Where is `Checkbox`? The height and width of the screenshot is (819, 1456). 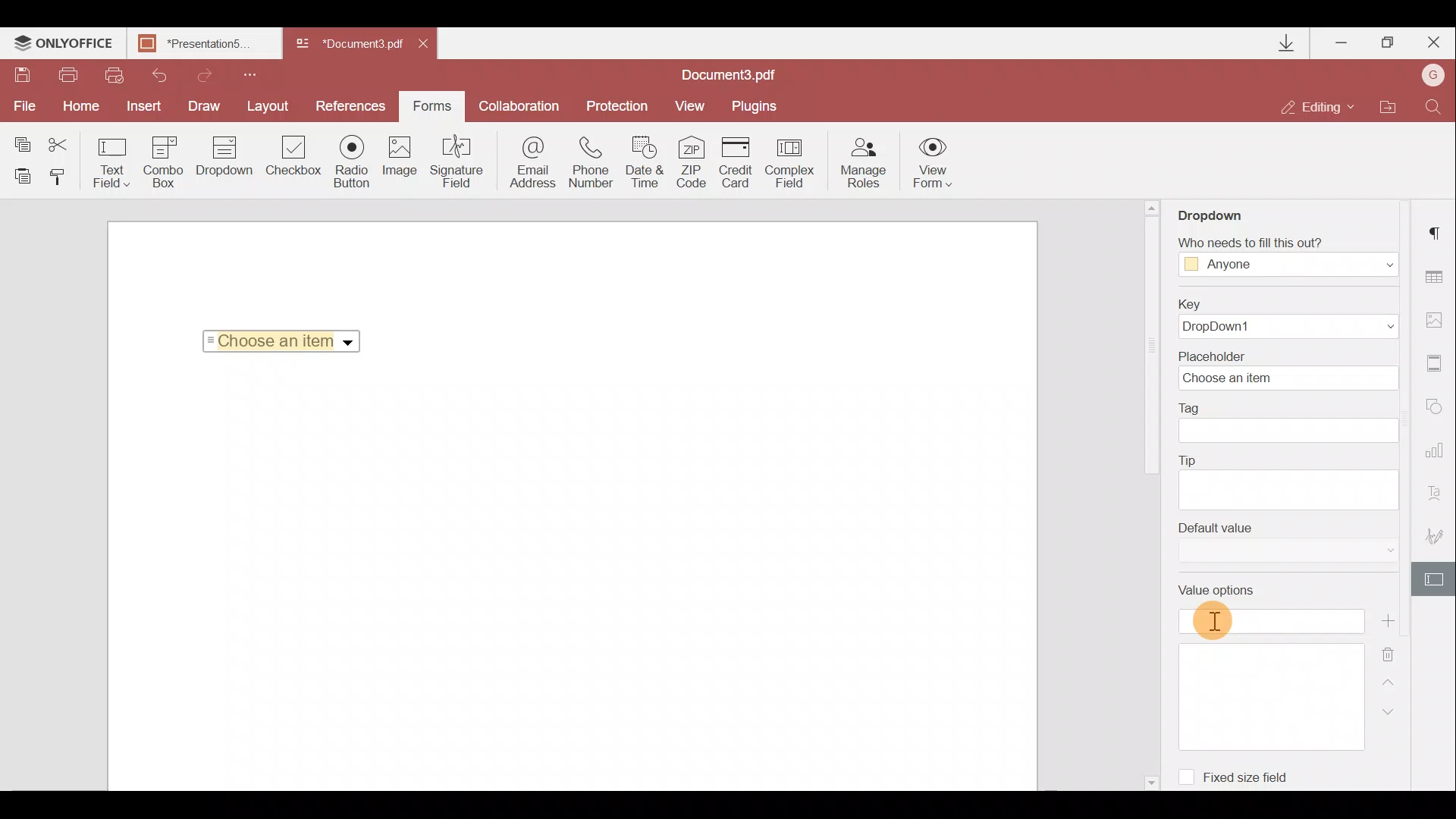
Checkbox is located at coordinates (291, 158).